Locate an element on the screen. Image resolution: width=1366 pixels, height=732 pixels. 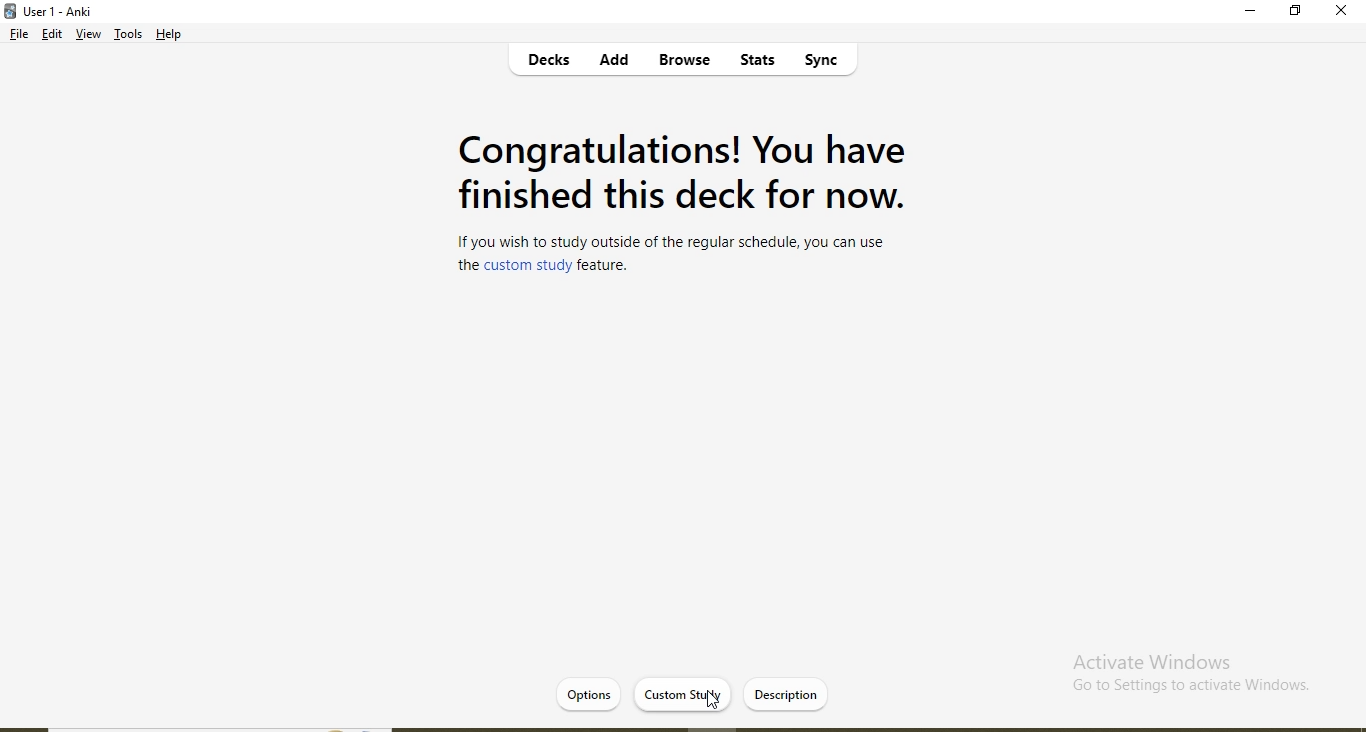
browse is located at coordinates (682, 61).